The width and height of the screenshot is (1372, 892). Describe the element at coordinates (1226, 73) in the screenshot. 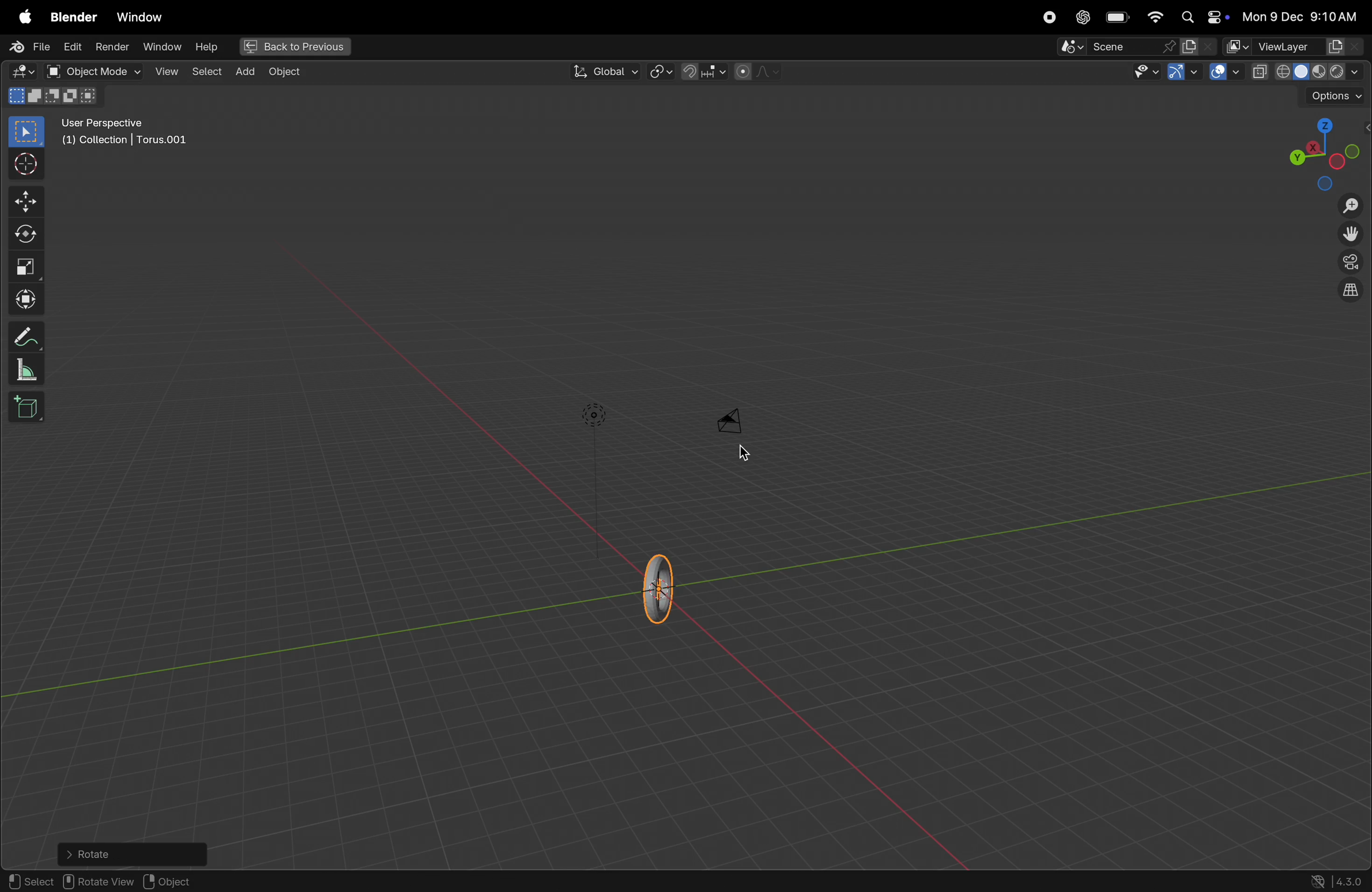

I see `show overlays` at that location.